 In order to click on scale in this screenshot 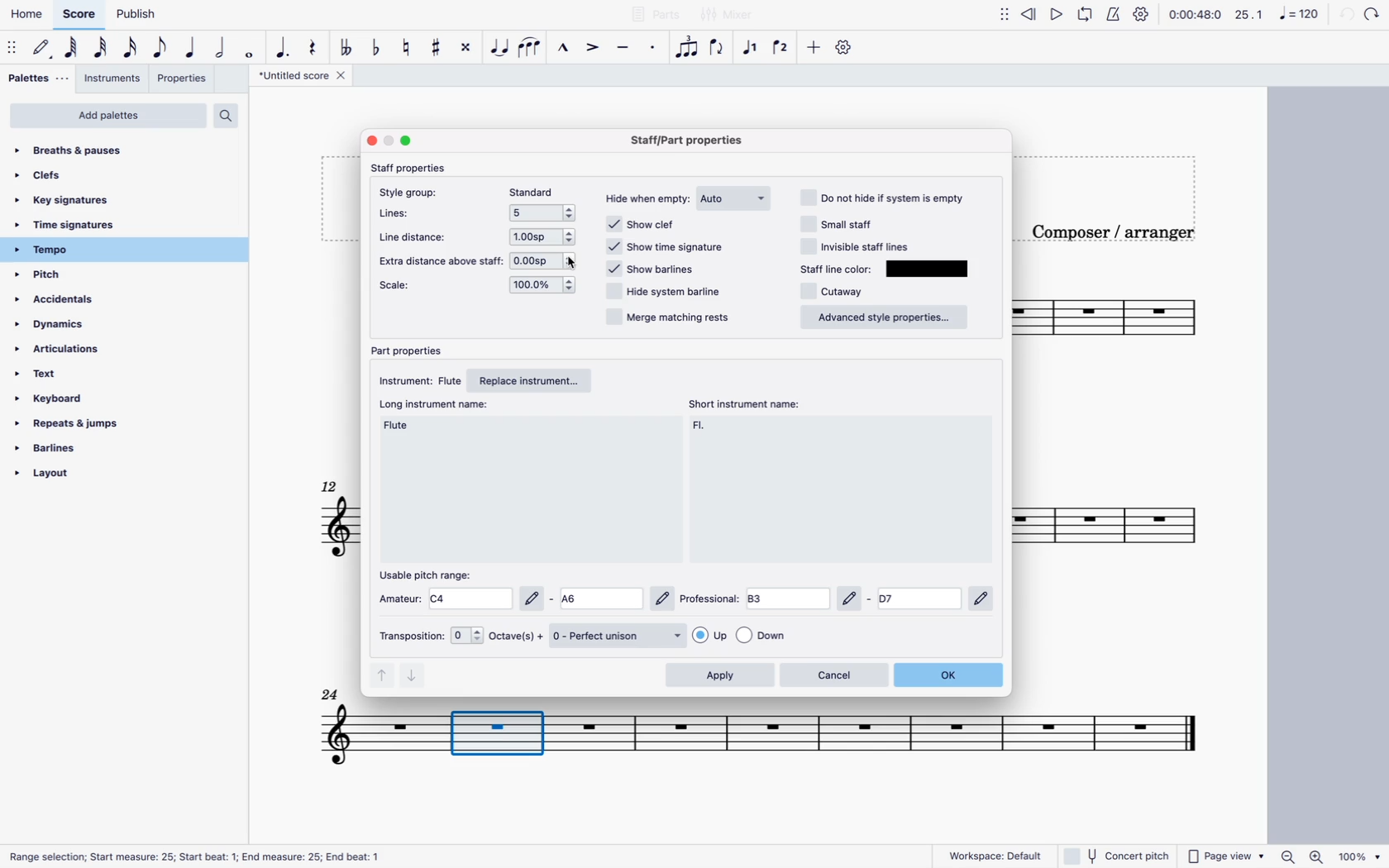, I will do `click(1277, 14)`.